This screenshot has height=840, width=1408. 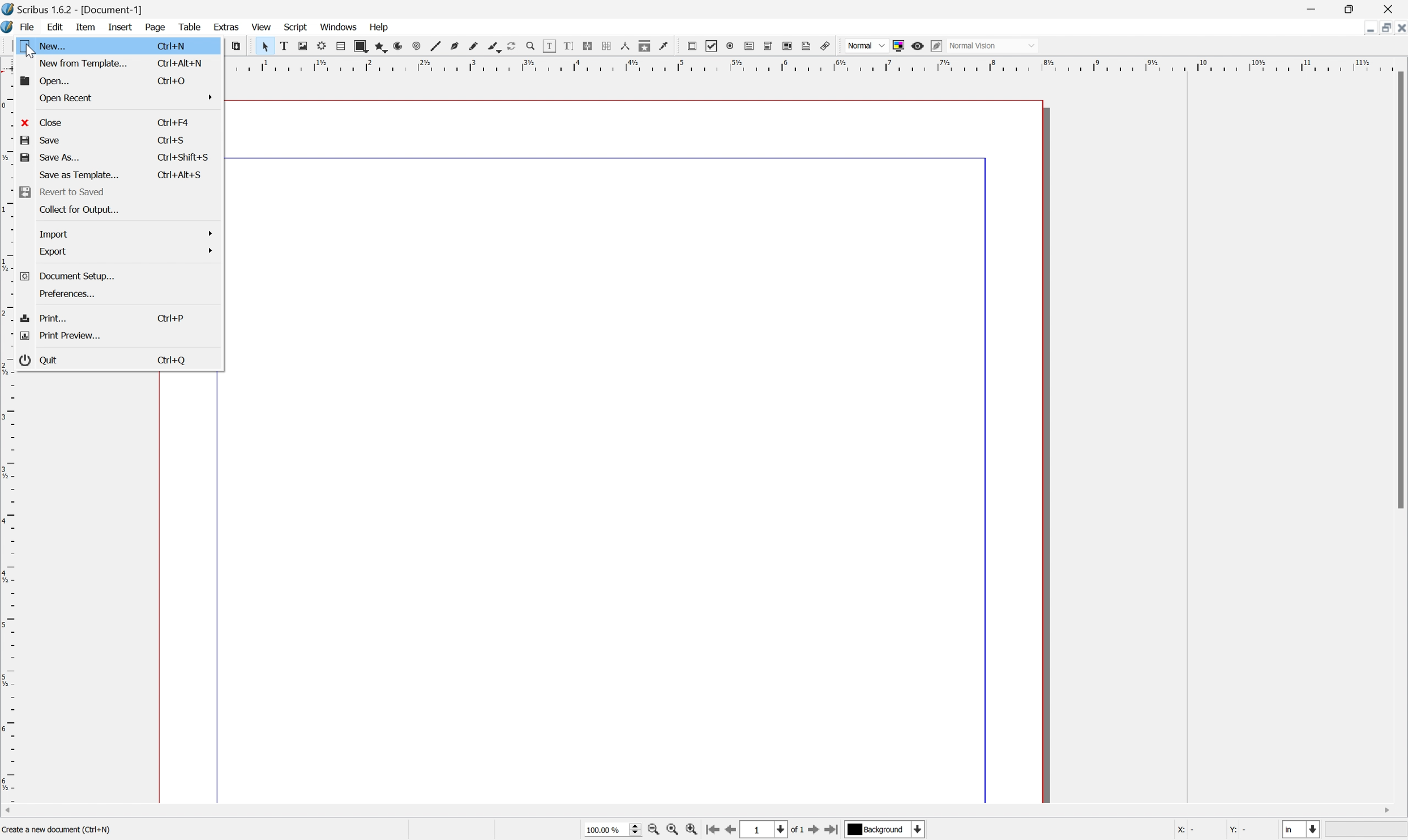 I want to click on save as template, so click(x=79, y=177).